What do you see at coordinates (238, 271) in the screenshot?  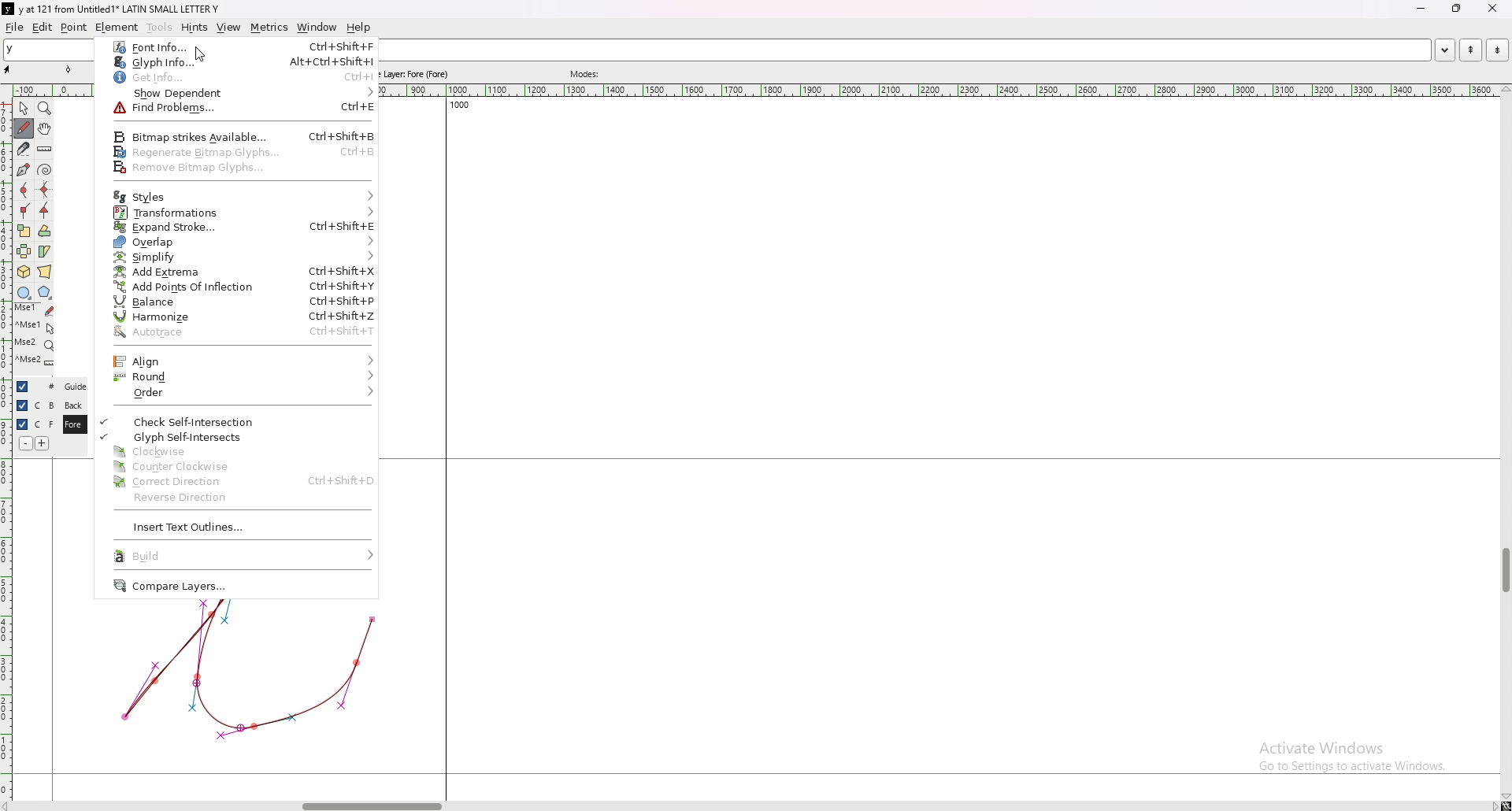 I see `add extreme` at bounding box center [238, 271].